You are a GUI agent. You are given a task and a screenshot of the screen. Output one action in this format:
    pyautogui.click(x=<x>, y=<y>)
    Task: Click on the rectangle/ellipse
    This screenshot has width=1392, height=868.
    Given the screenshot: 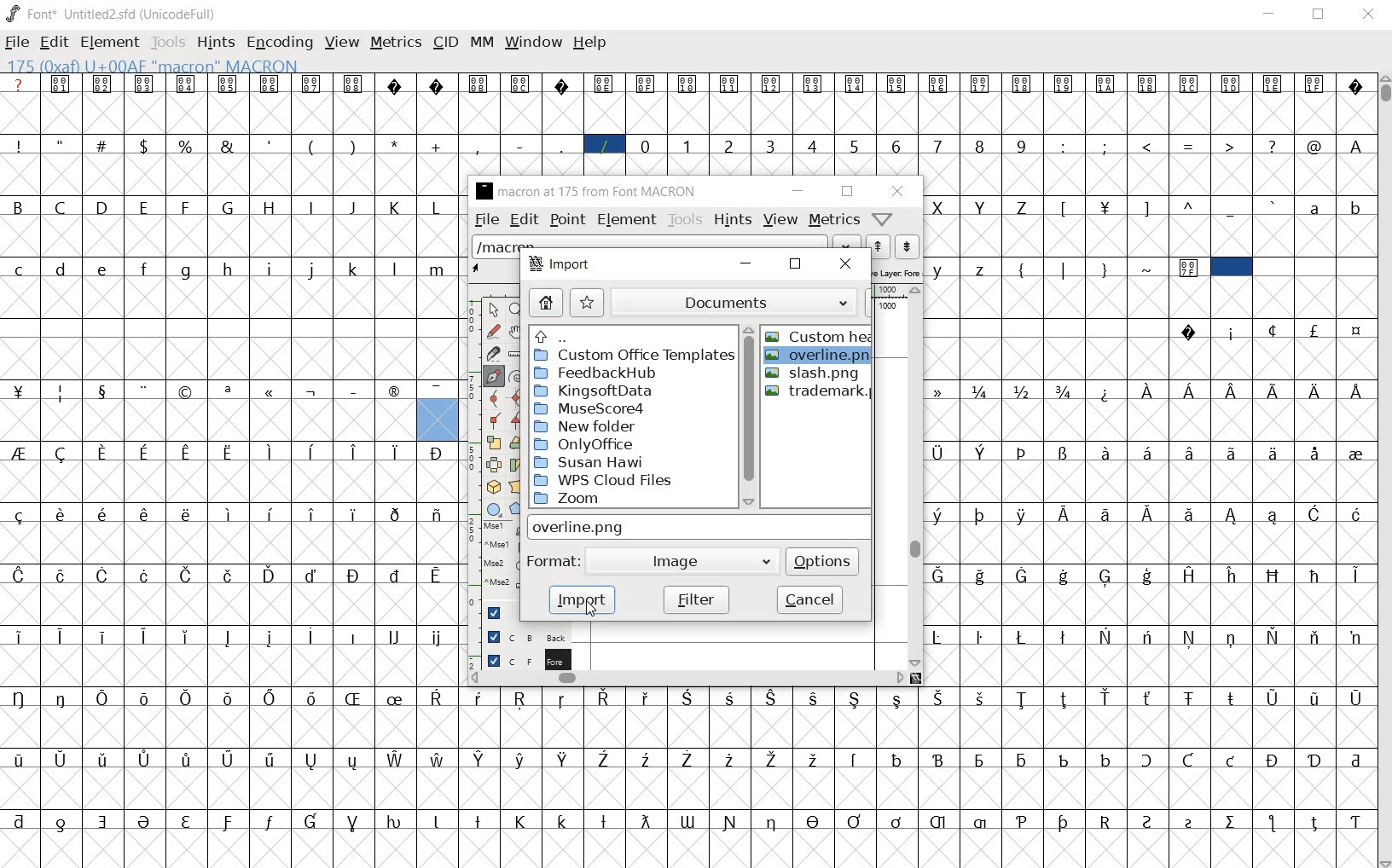 What is the action you would take?
    pyautogui.click(x=496, y=508)
    